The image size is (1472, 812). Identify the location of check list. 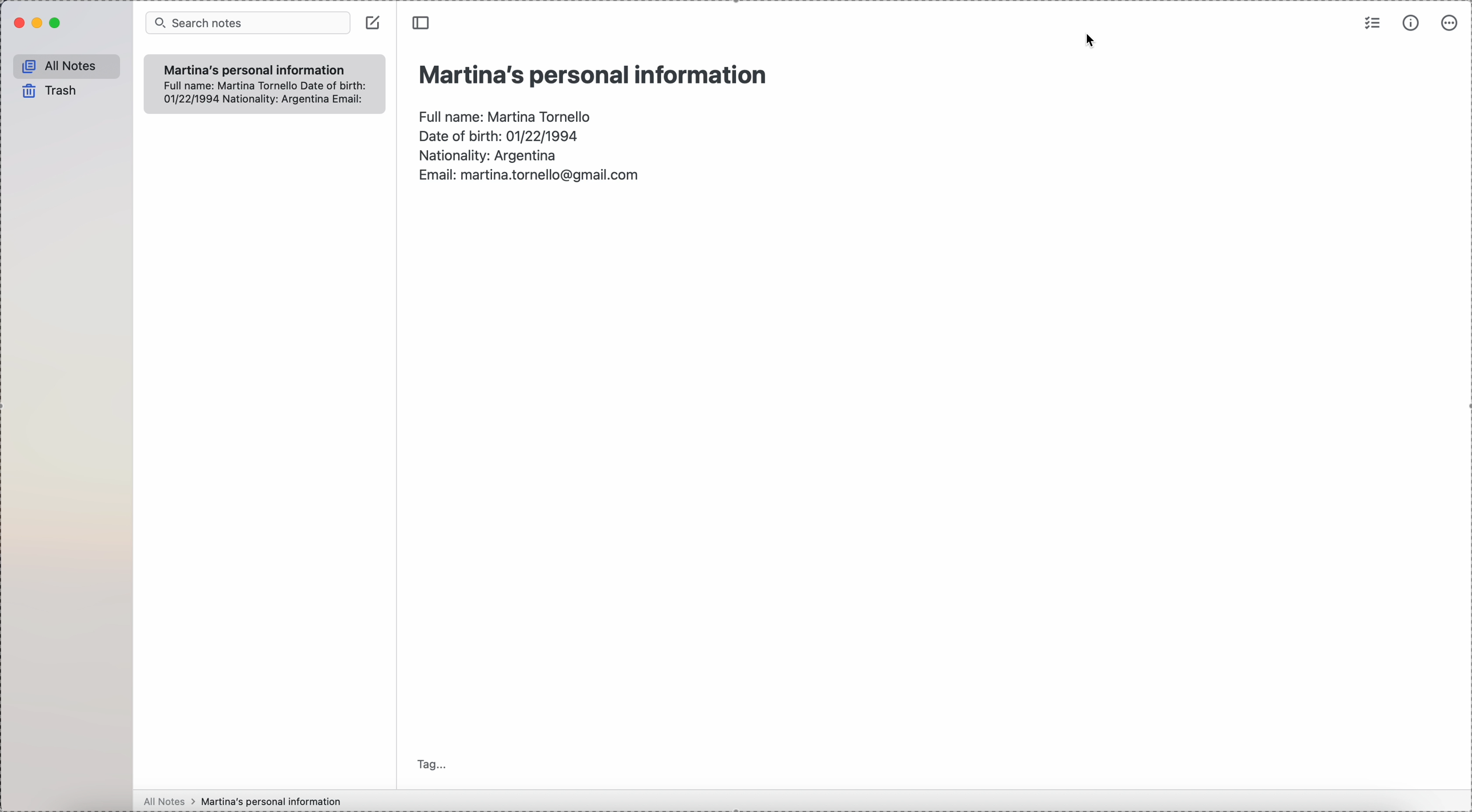
(1371, 25).